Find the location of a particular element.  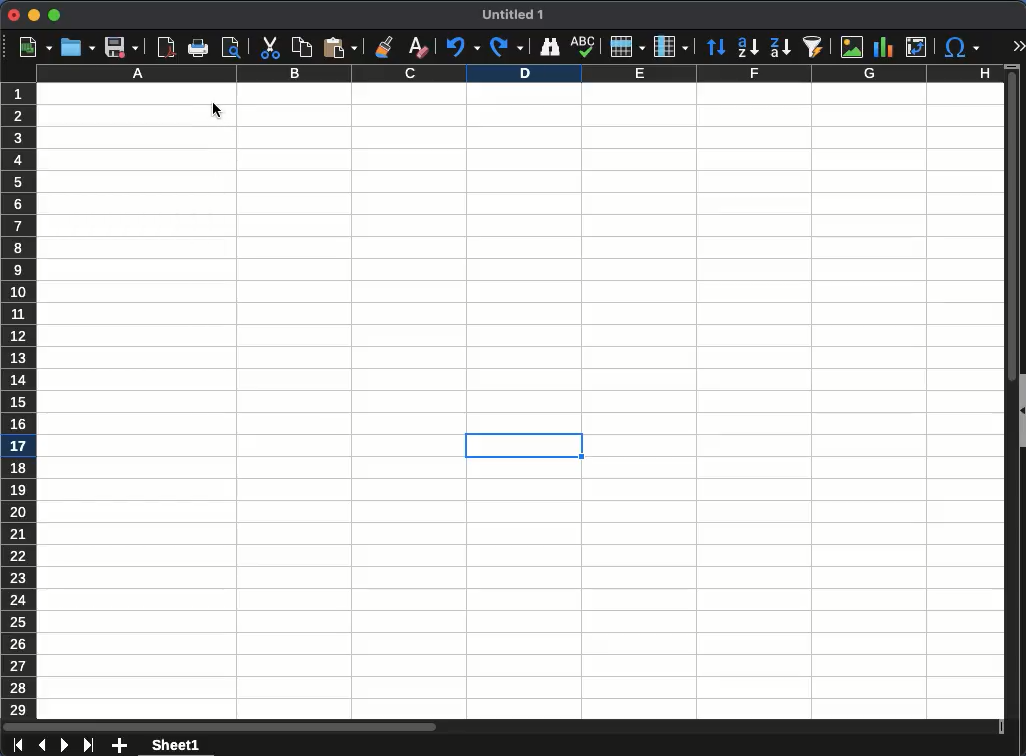

row is located at coordinates (628, 47).